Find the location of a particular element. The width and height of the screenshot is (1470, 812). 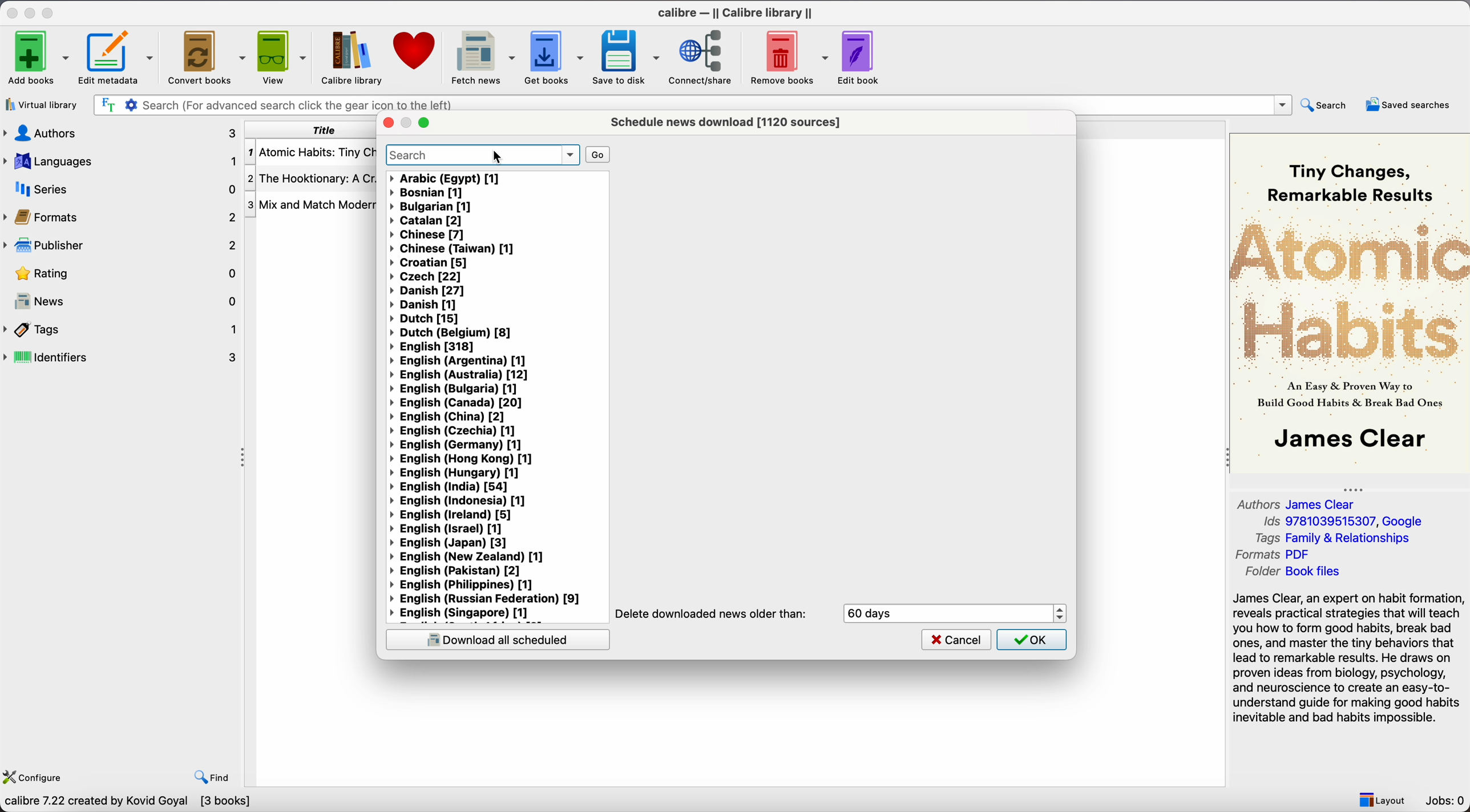

book cover preview is located at coordinates (1348, 302).